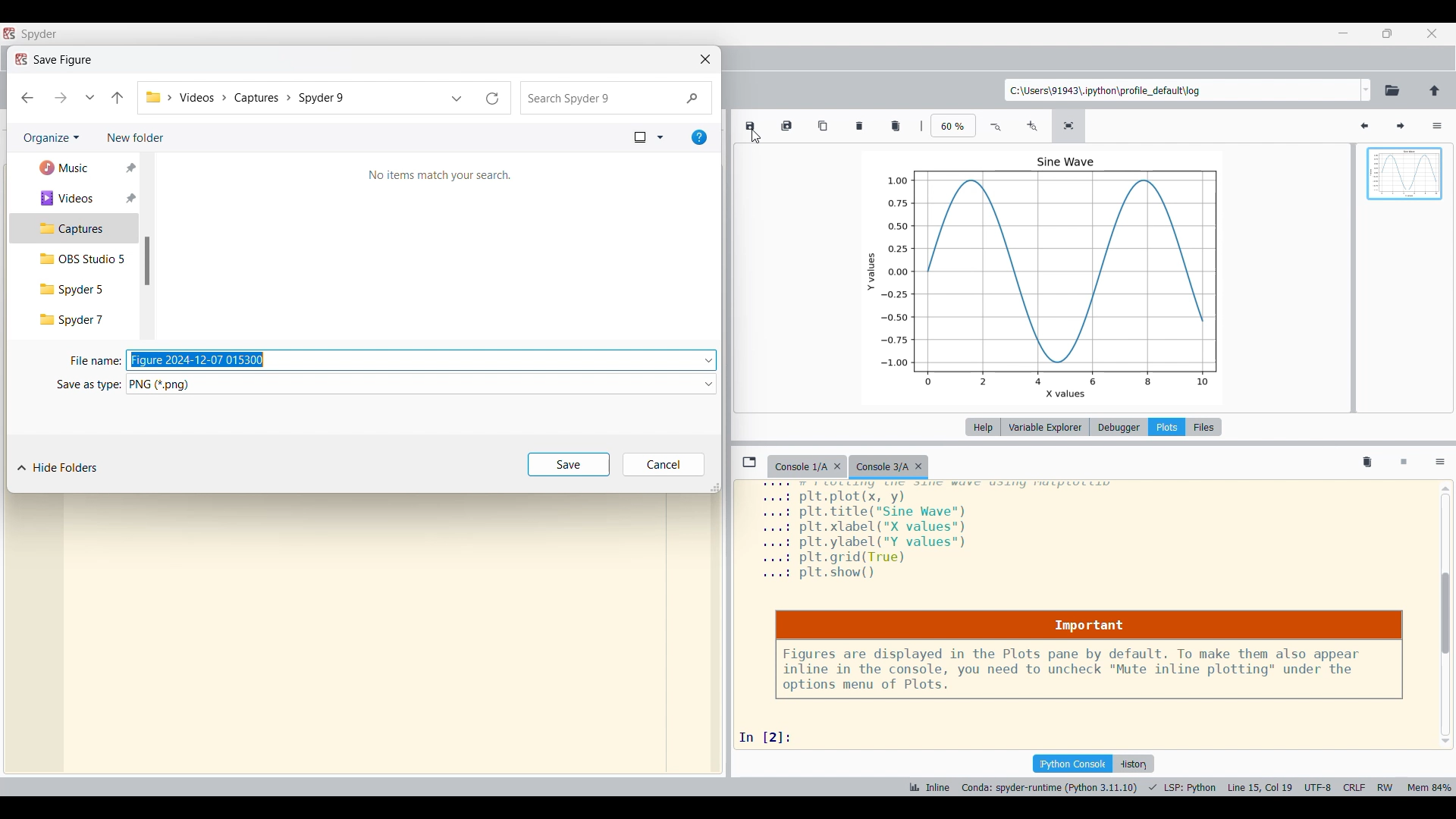 The height and width of the screenshot is (819, 1456). What do you see at coordinates (1430, 786) in the screenshot?
I see `memory` at bounding box center [1430, 786].